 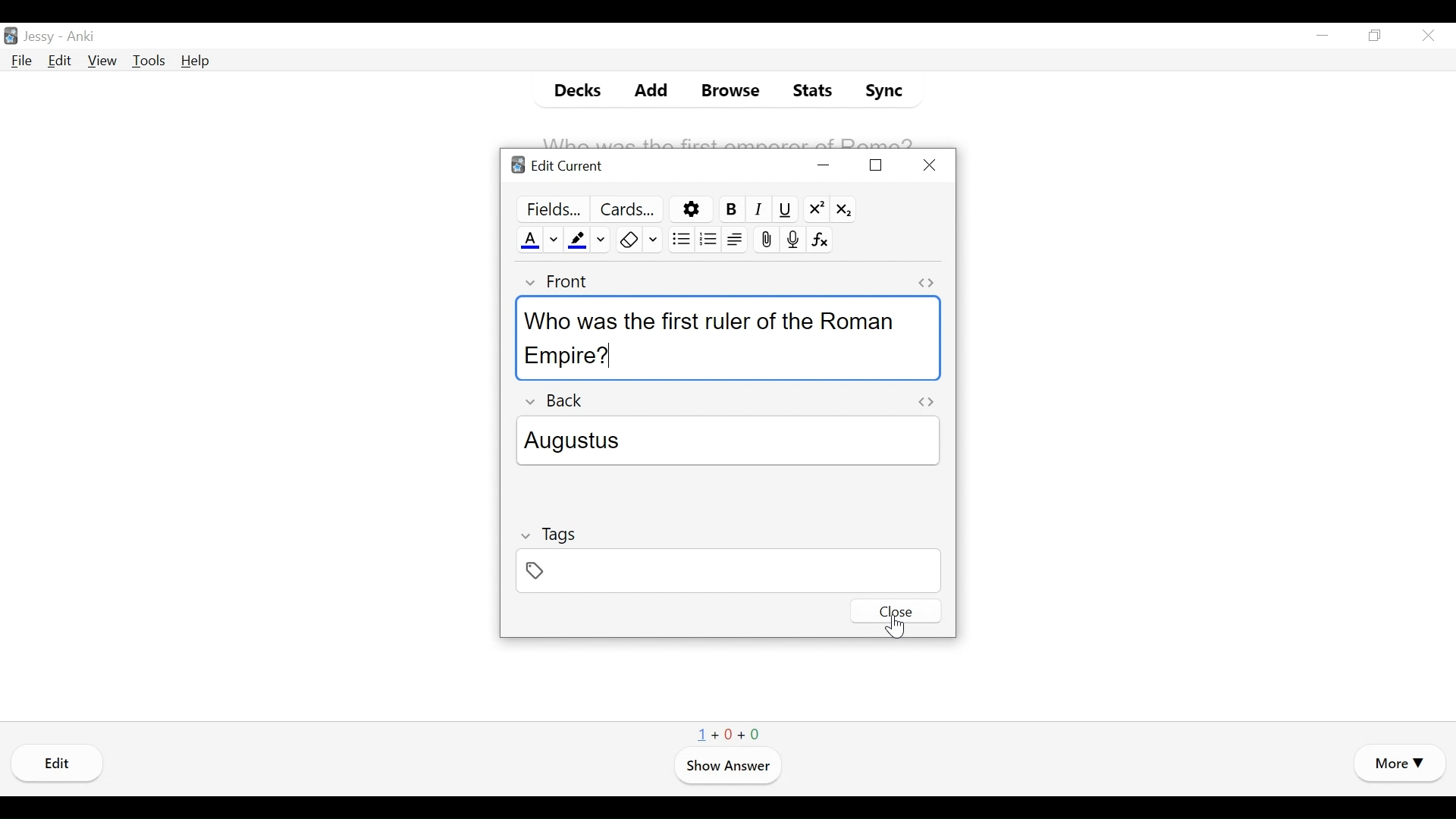 What do you see at coordinates (557, 166) in the screenshot?
I see `Edit Current` at bounding box center [557, 166].